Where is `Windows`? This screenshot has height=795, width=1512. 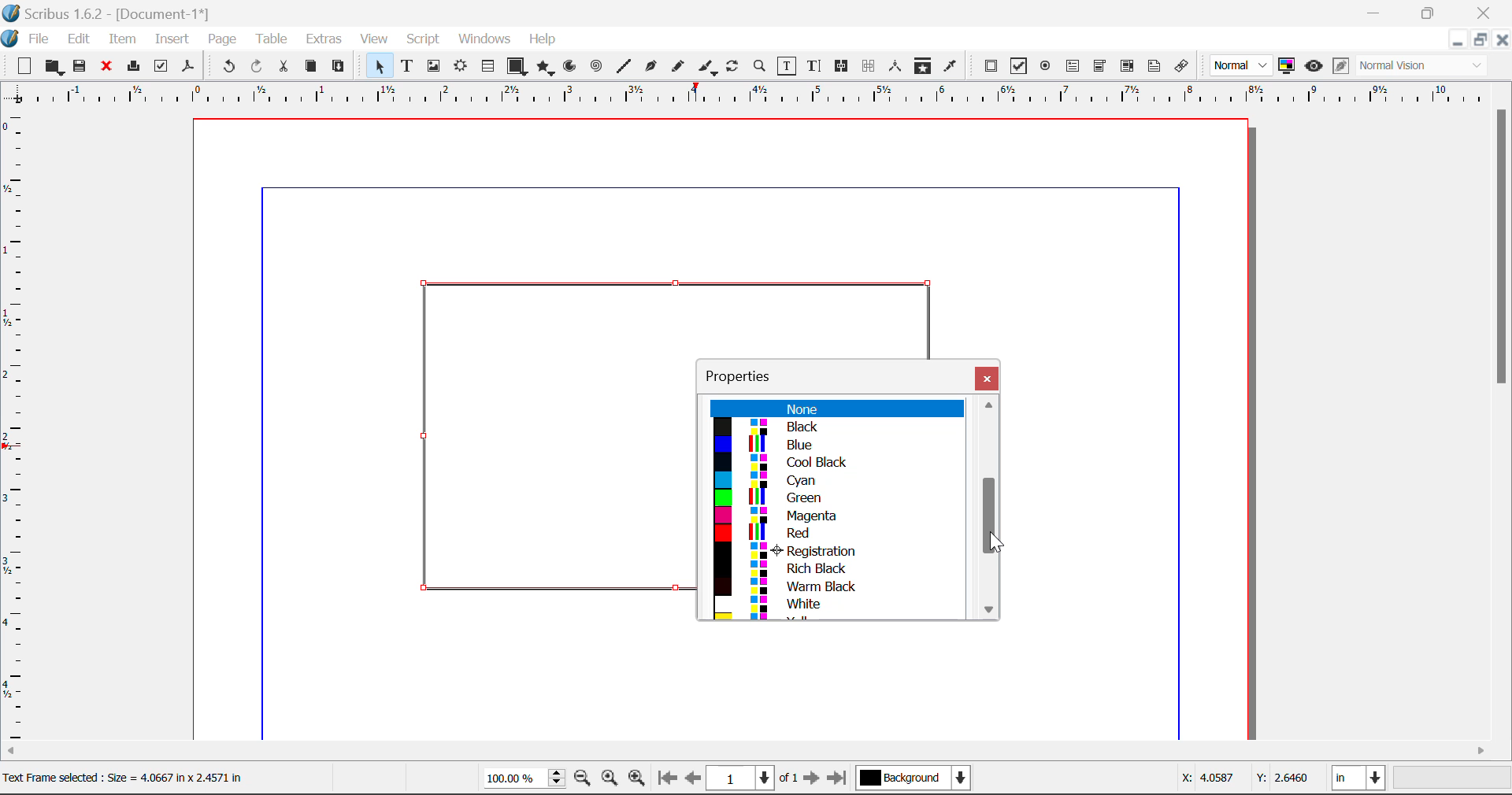 Windows is located at coordinates (484, 40).